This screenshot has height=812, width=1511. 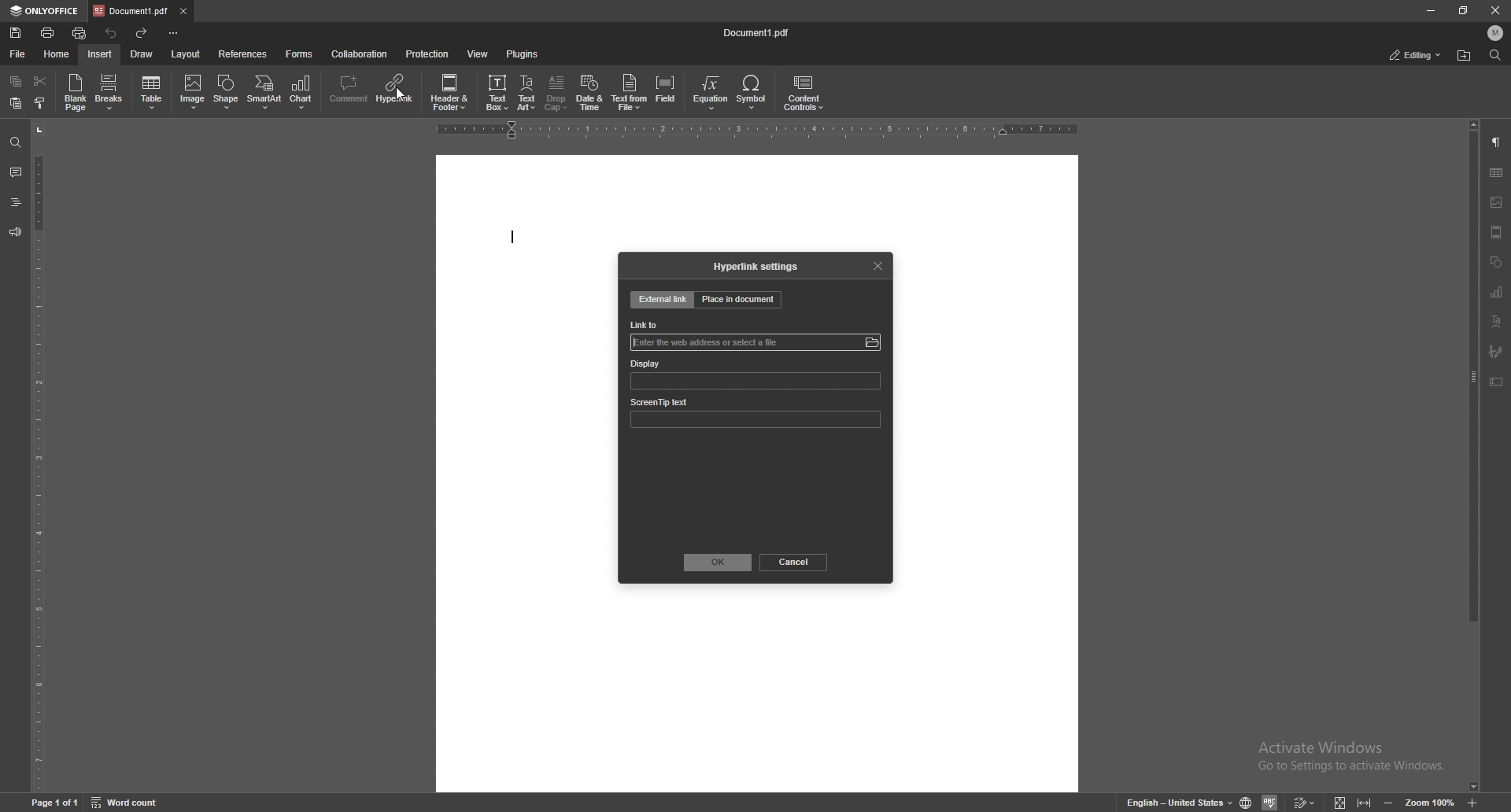 What do you see at coordinates (1497, 382) in the screenshot?
I see `text box` at bounding box center [1497, 382].